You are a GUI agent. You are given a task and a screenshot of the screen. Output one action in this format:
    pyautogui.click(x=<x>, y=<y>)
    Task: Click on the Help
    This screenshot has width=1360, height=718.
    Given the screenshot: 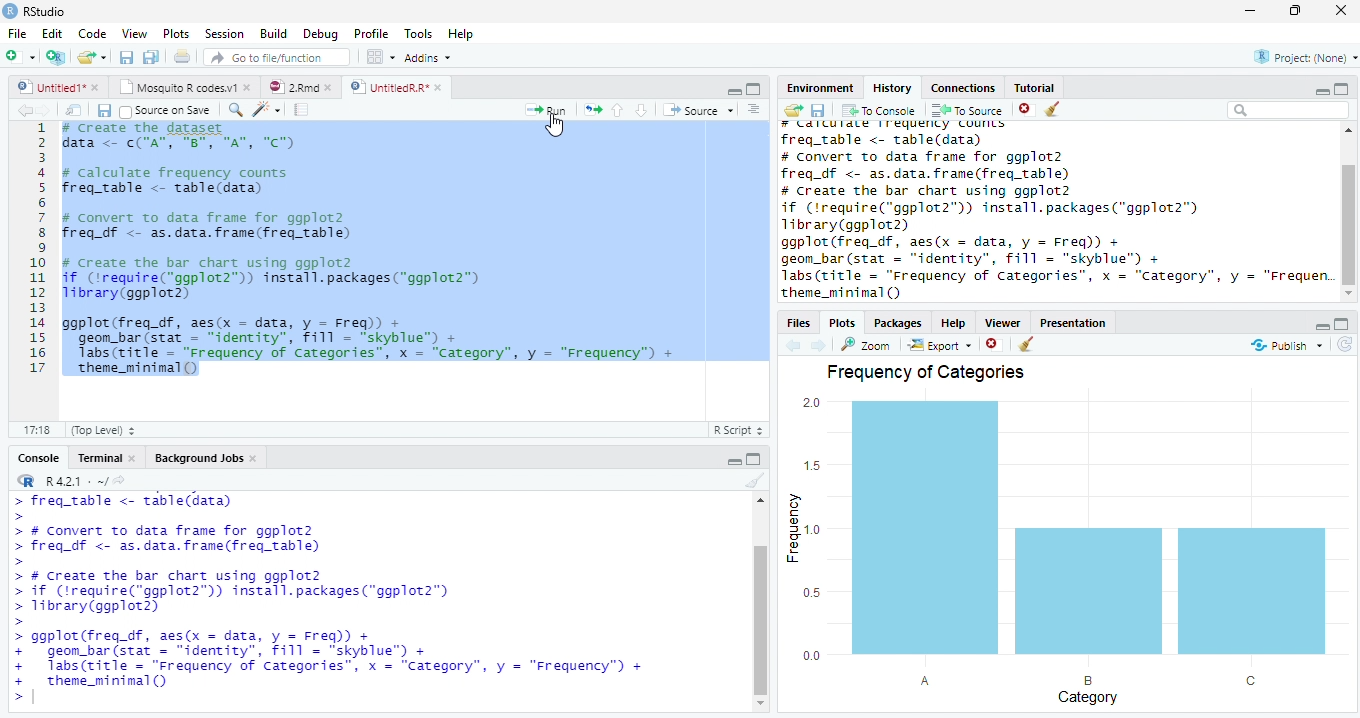 What is the action you would take?
    pyautogui.click(x=462, y=33)
    